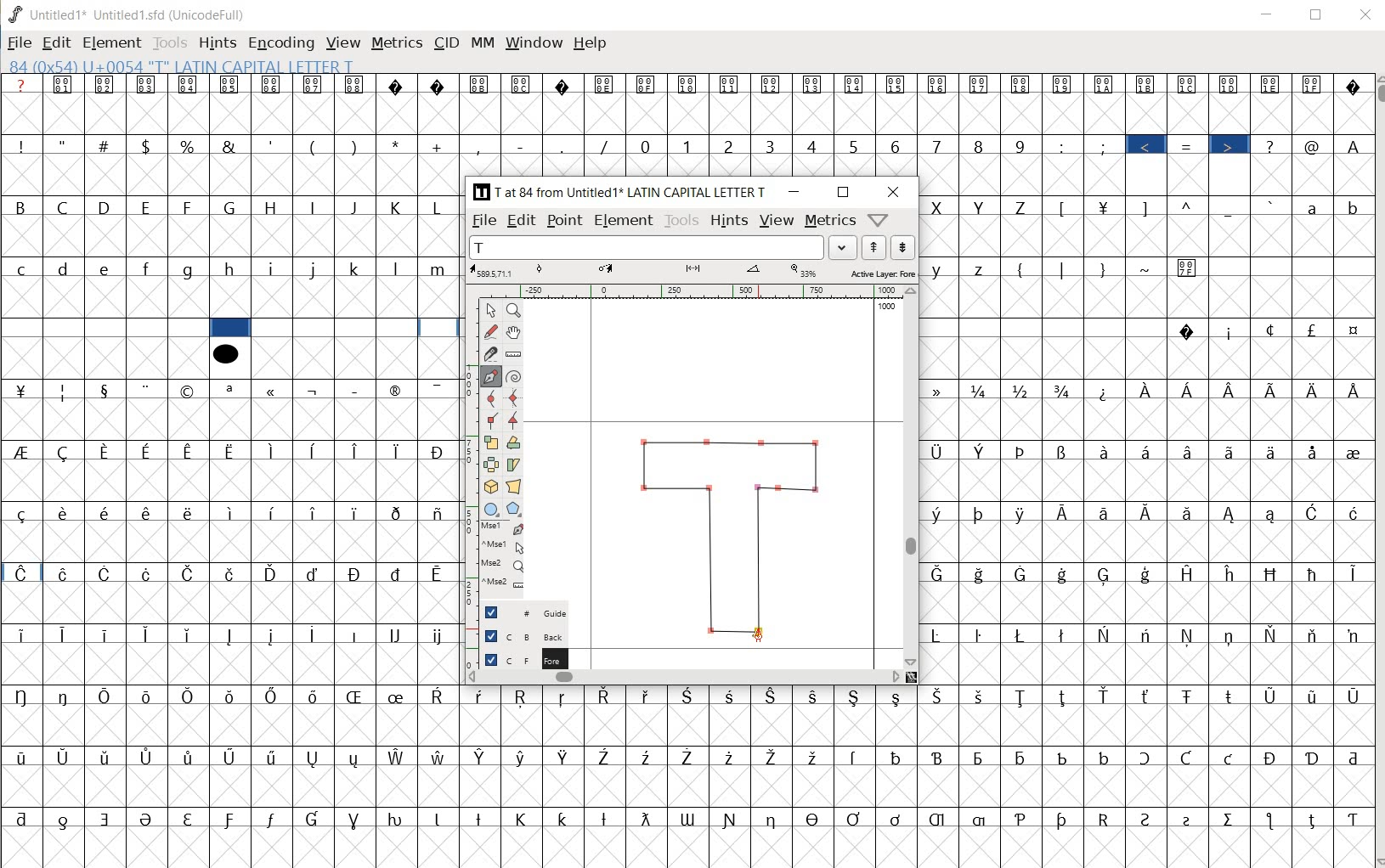 The height and width of the screenshot is (868, 1385). Describe the element at coordinates (941, 270) in the screenshot. I see `y` at that location.